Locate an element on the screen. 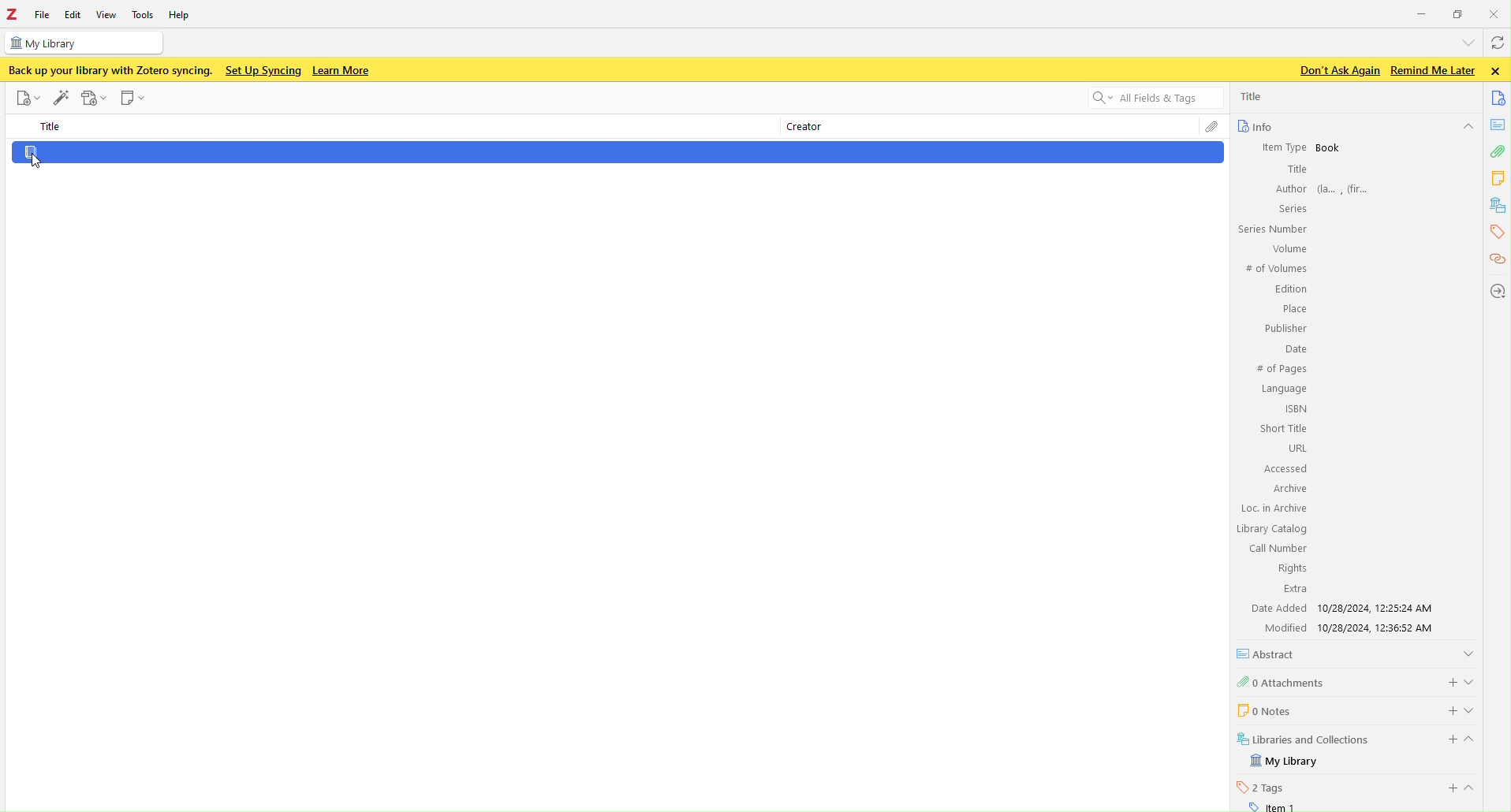  file is located at coordinates (42, 15).